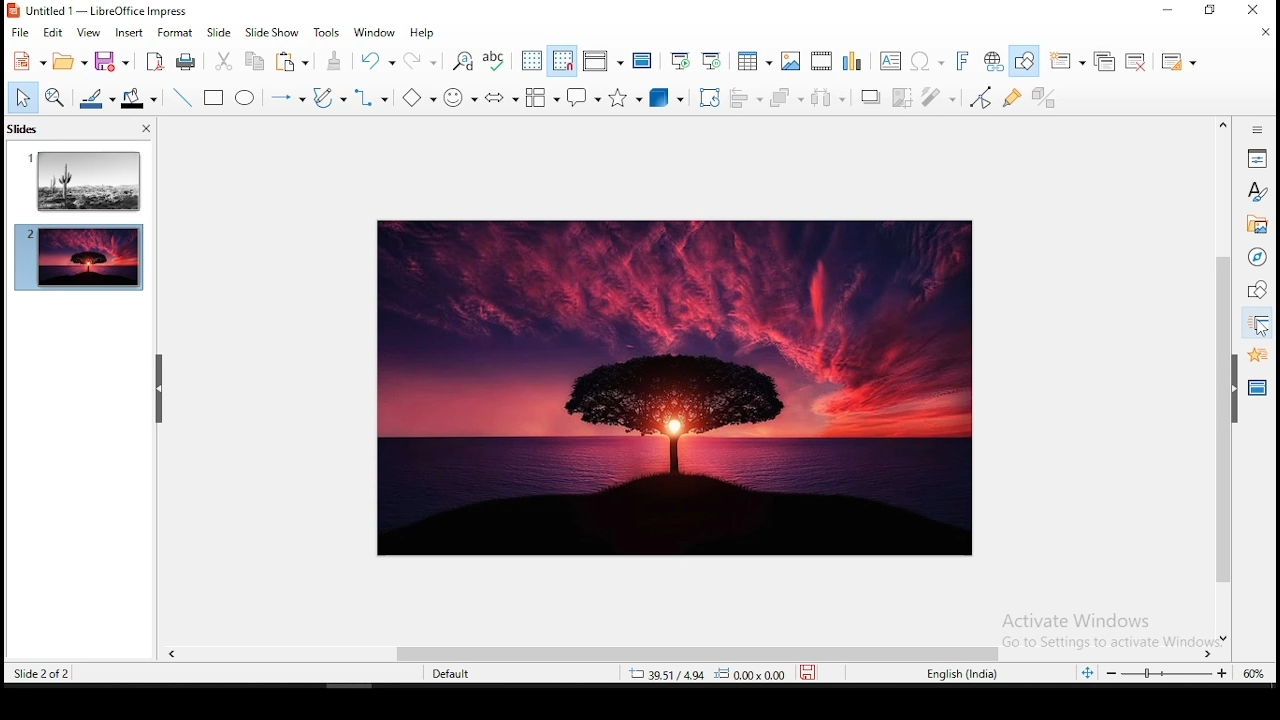  I want to click on master slides, so click(1257, 388).